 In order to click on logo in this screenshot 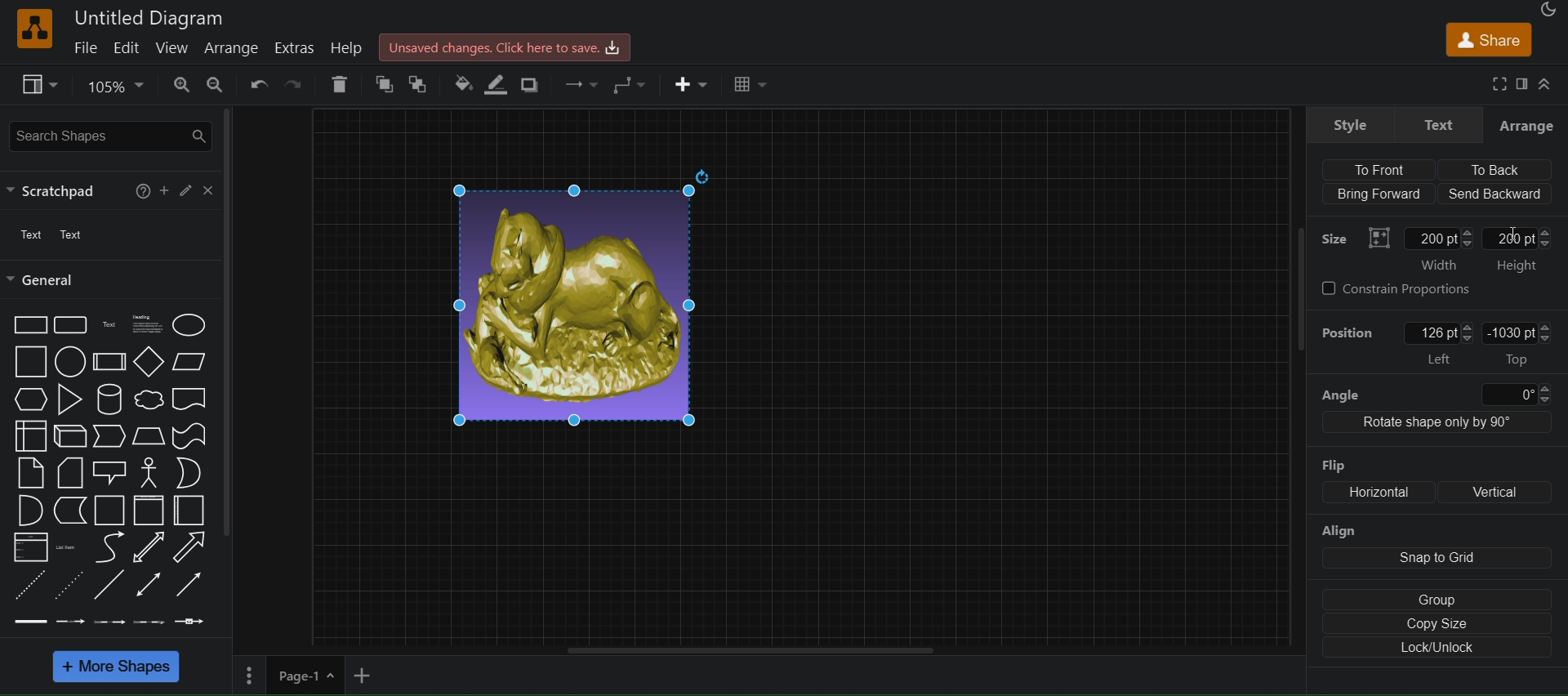, I will do `click(33, 29)`.